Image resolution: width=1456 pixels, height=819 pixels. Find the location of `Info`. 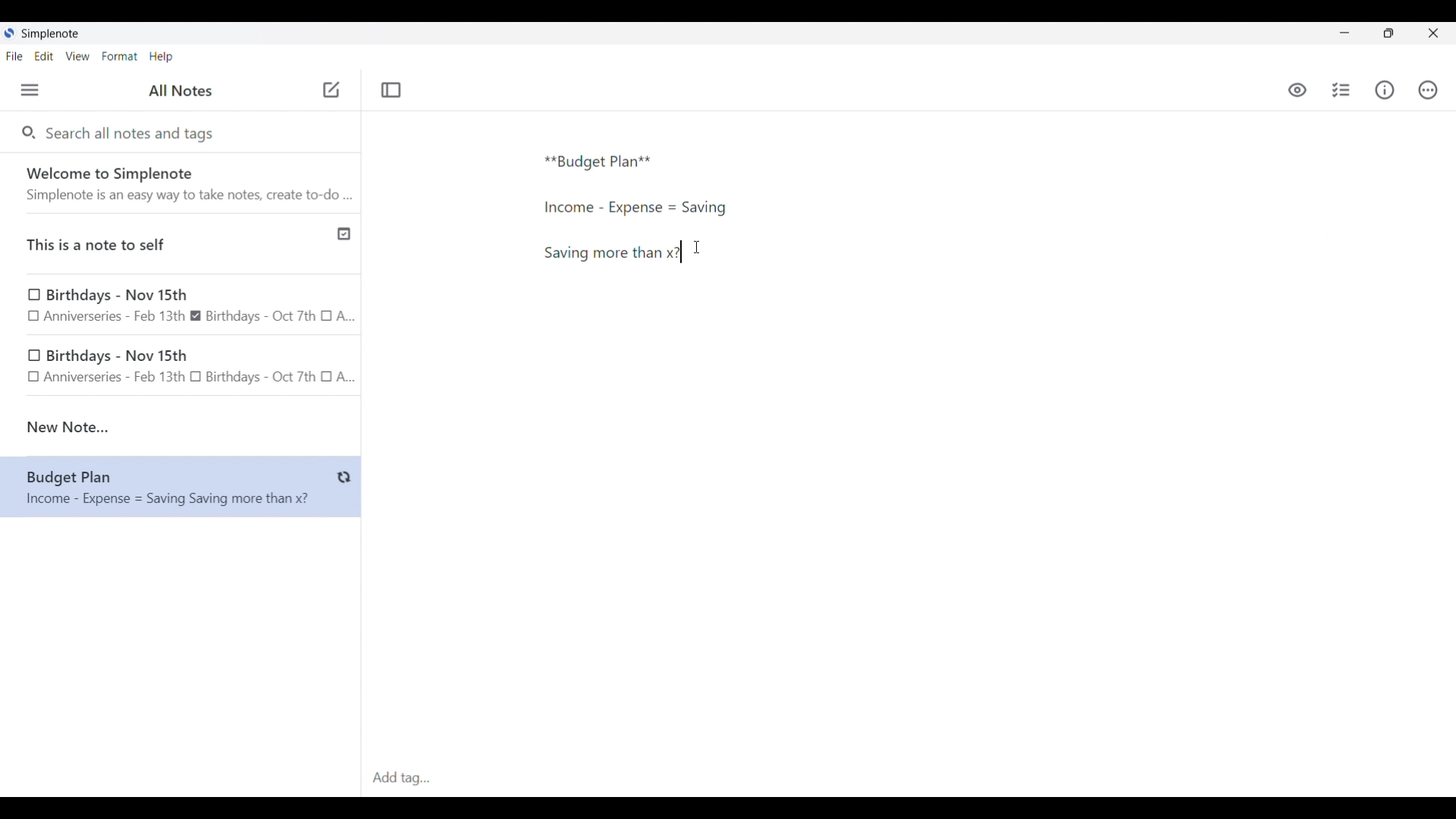

Info is located at coordinates (1385, 89).